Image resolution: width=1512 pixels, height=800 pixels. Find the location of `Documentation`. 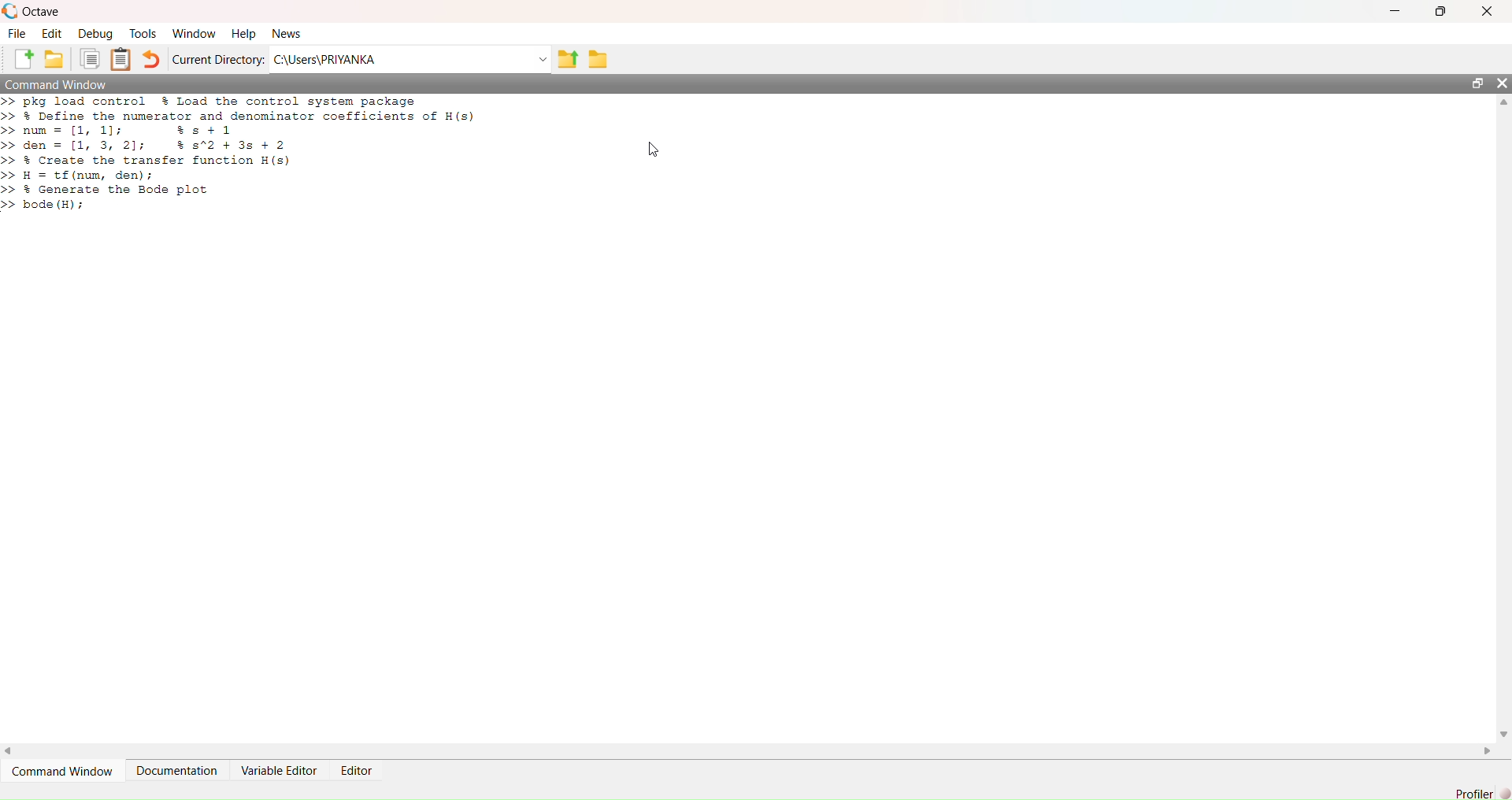

Documentation is located at coordinates (175, 770).